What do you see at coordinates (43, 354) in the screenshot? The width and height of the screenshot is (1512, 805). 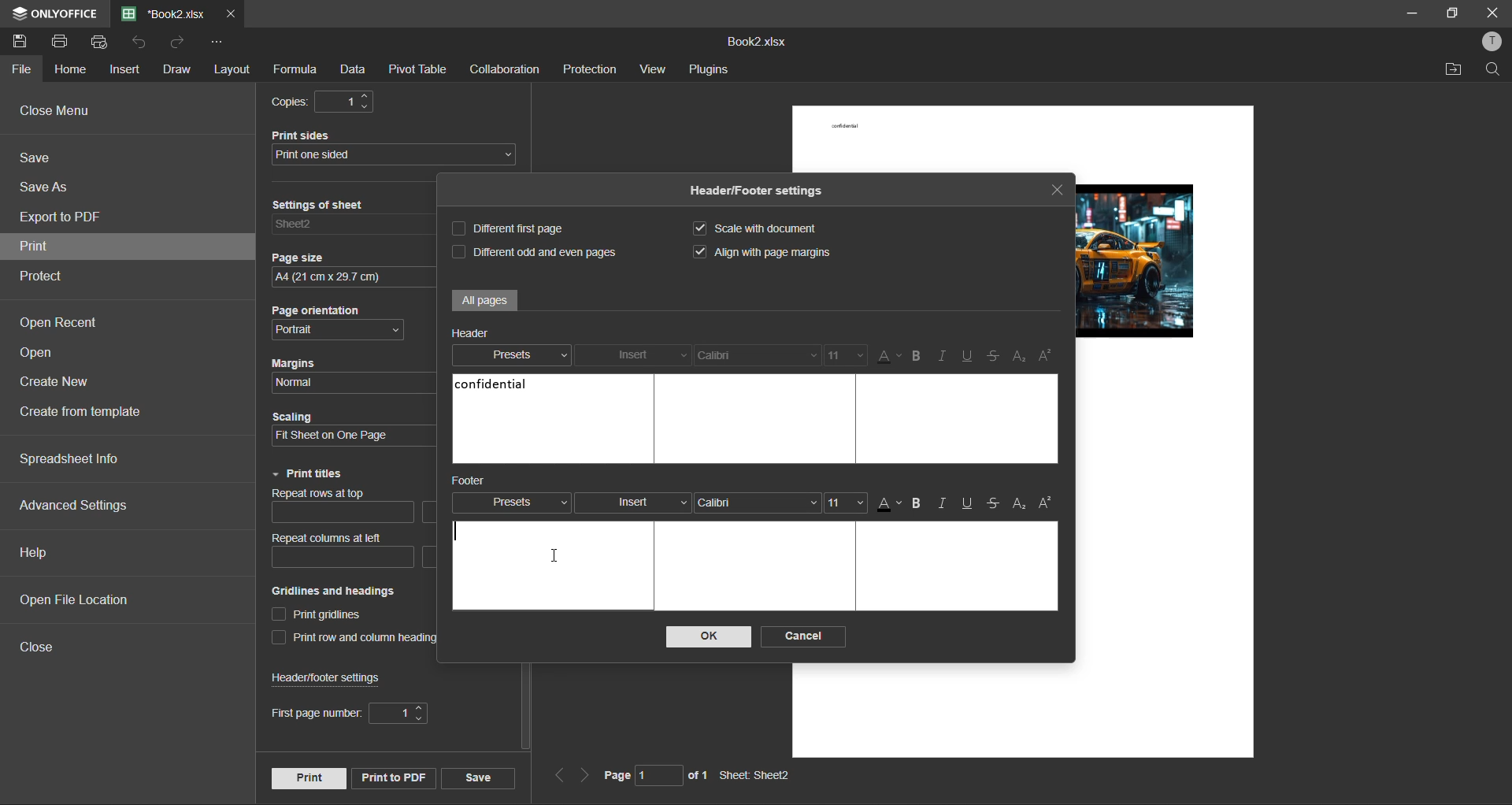 I see `open` at bounding box center [43, 354].